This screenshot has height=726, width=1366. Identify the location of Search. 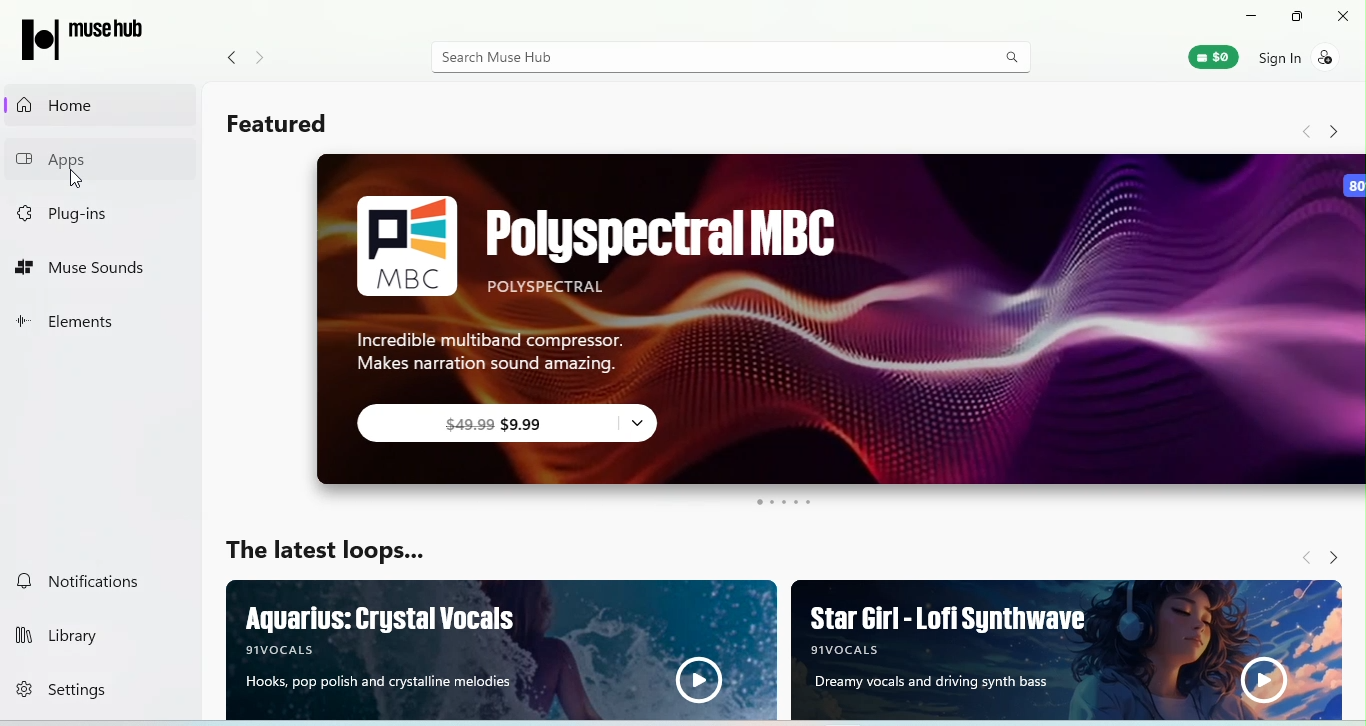
(1014, 58).